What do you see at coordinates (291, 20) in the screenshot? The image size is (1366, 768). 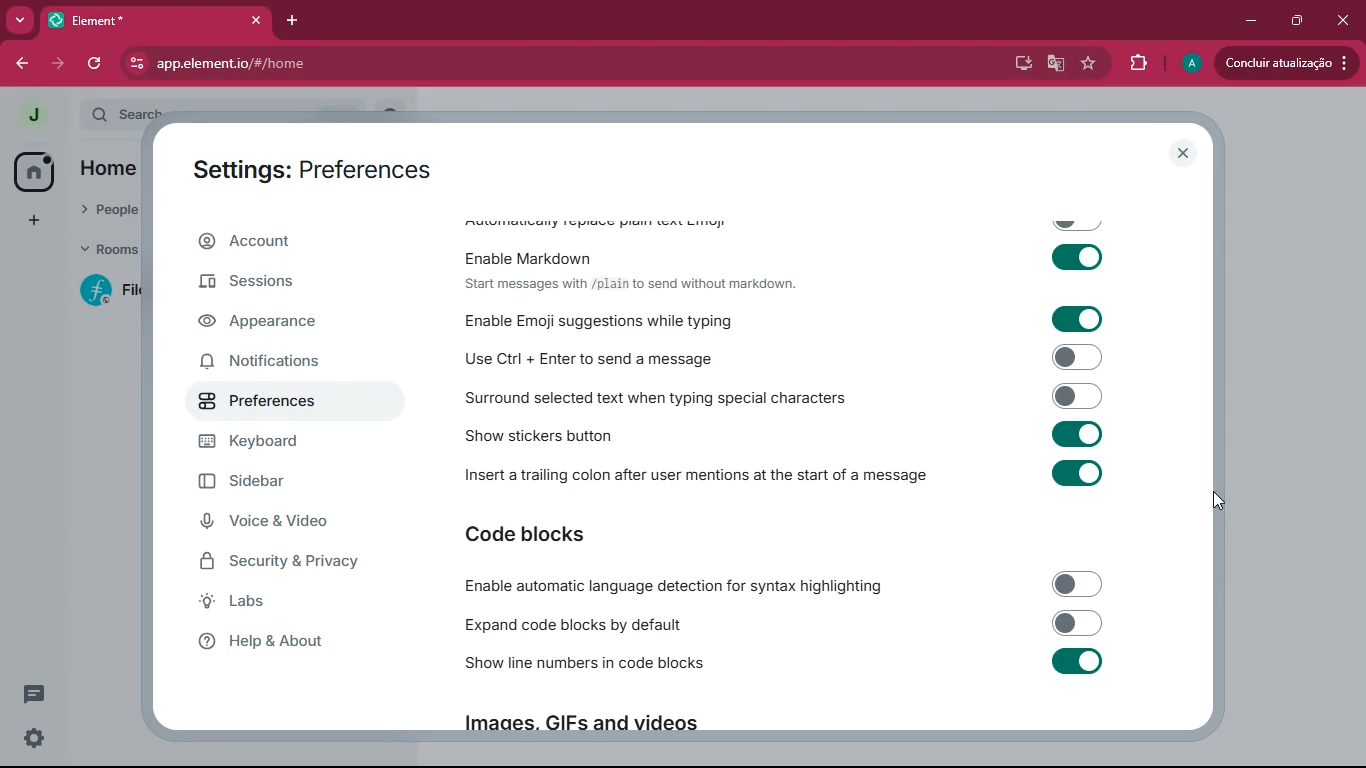 I see `add tab` at bounding box center [291, 20].